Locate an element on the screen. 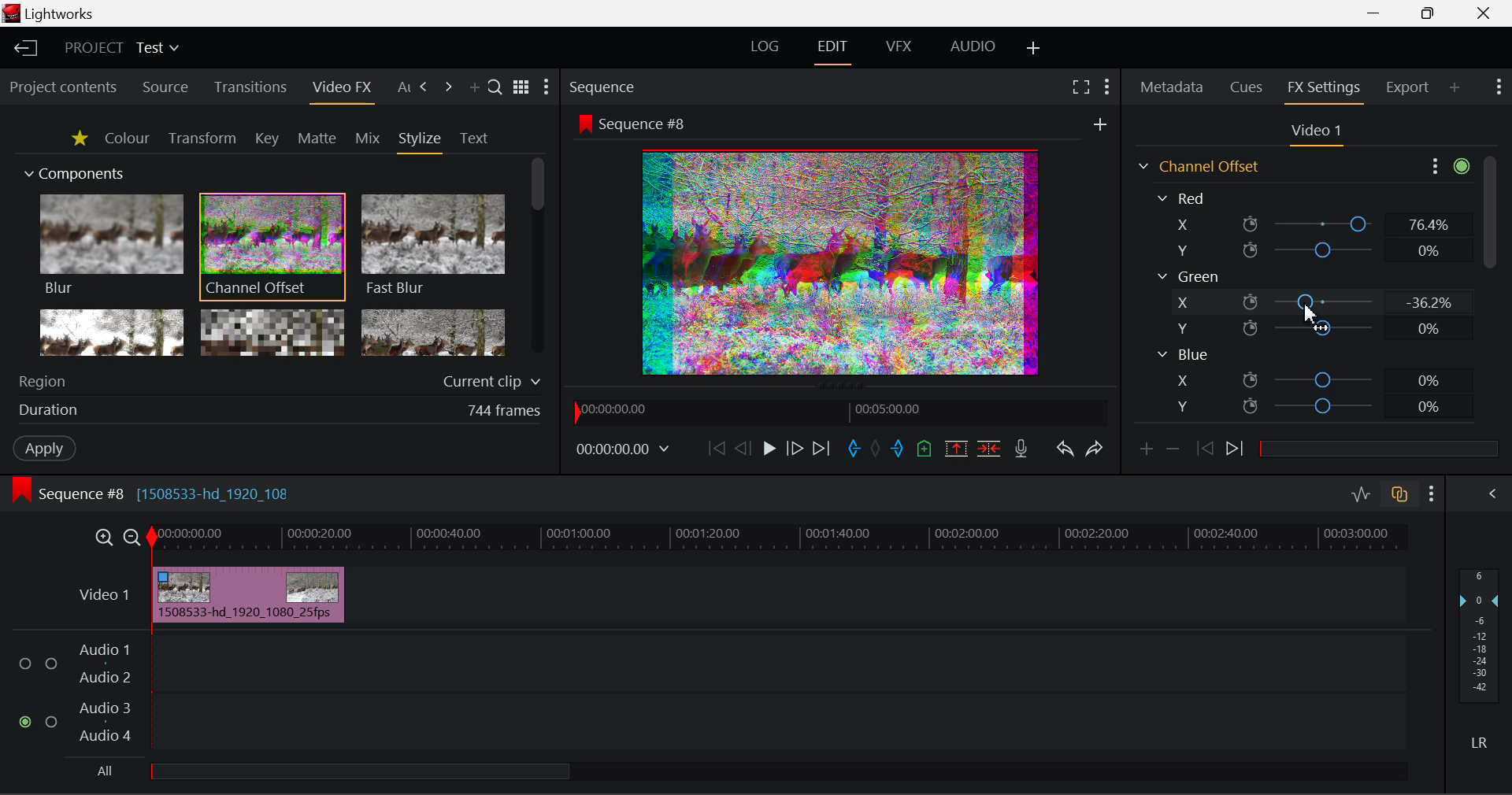 This screenshot has width=1512, height=795. DRAG_TO Cursor Position is located at coordinates (1309, 312).